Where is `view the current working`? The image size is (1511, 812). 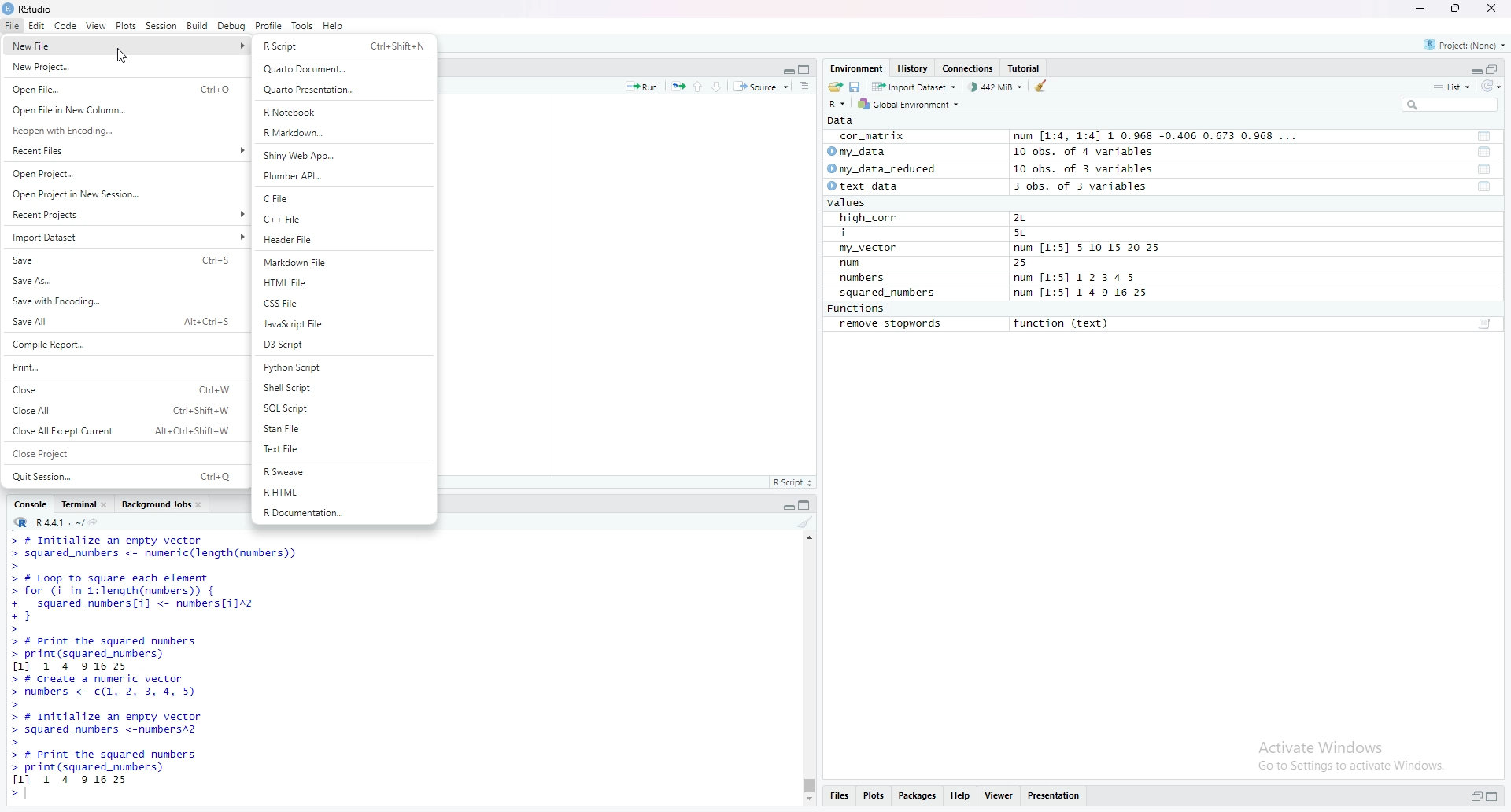
view the current working is located at coordinates (98, 522).